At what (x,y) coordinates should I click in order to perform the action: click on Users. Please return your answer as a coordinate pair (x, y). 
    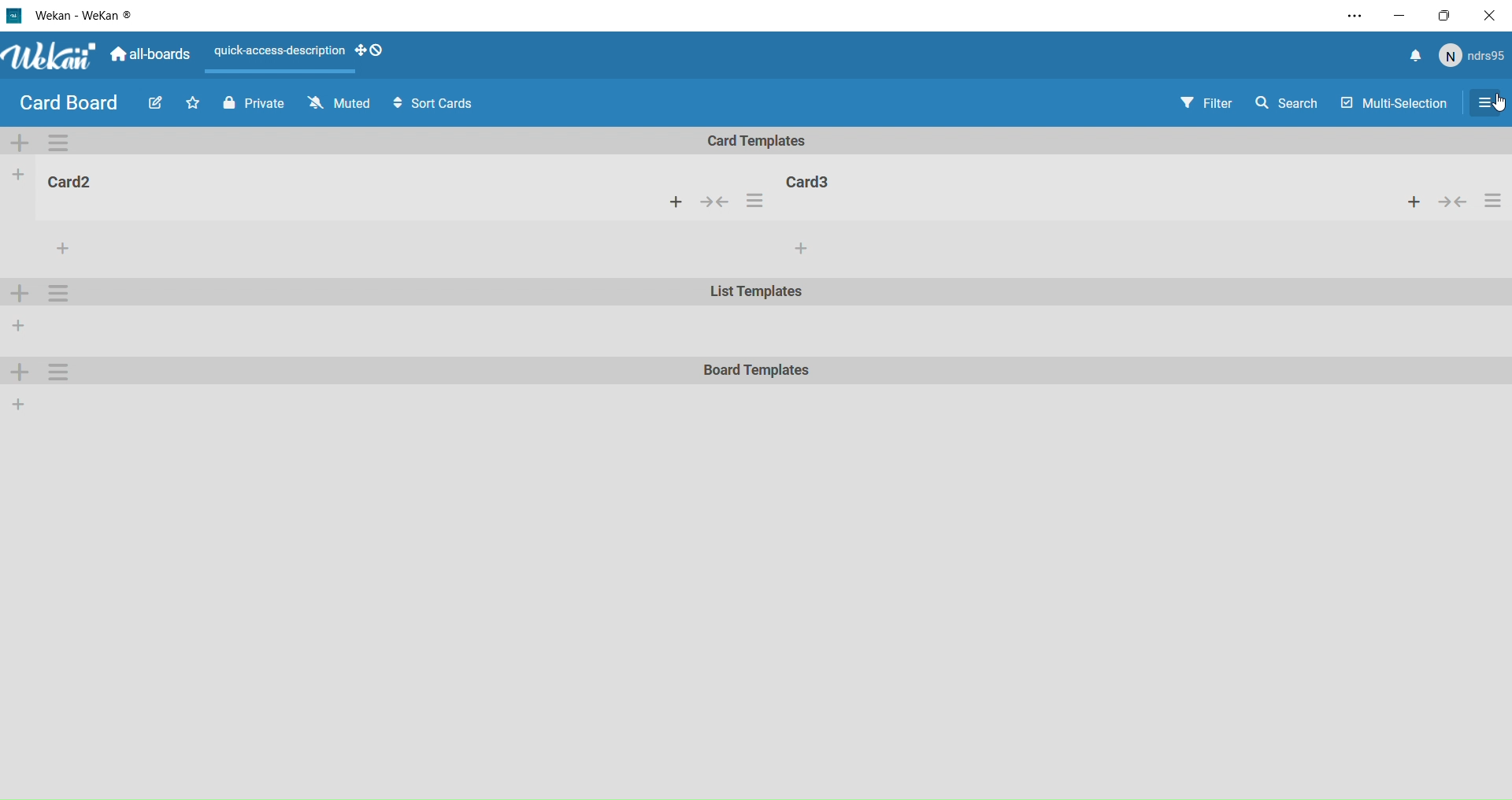
    Looking at the image, I should click on (1475, 57).